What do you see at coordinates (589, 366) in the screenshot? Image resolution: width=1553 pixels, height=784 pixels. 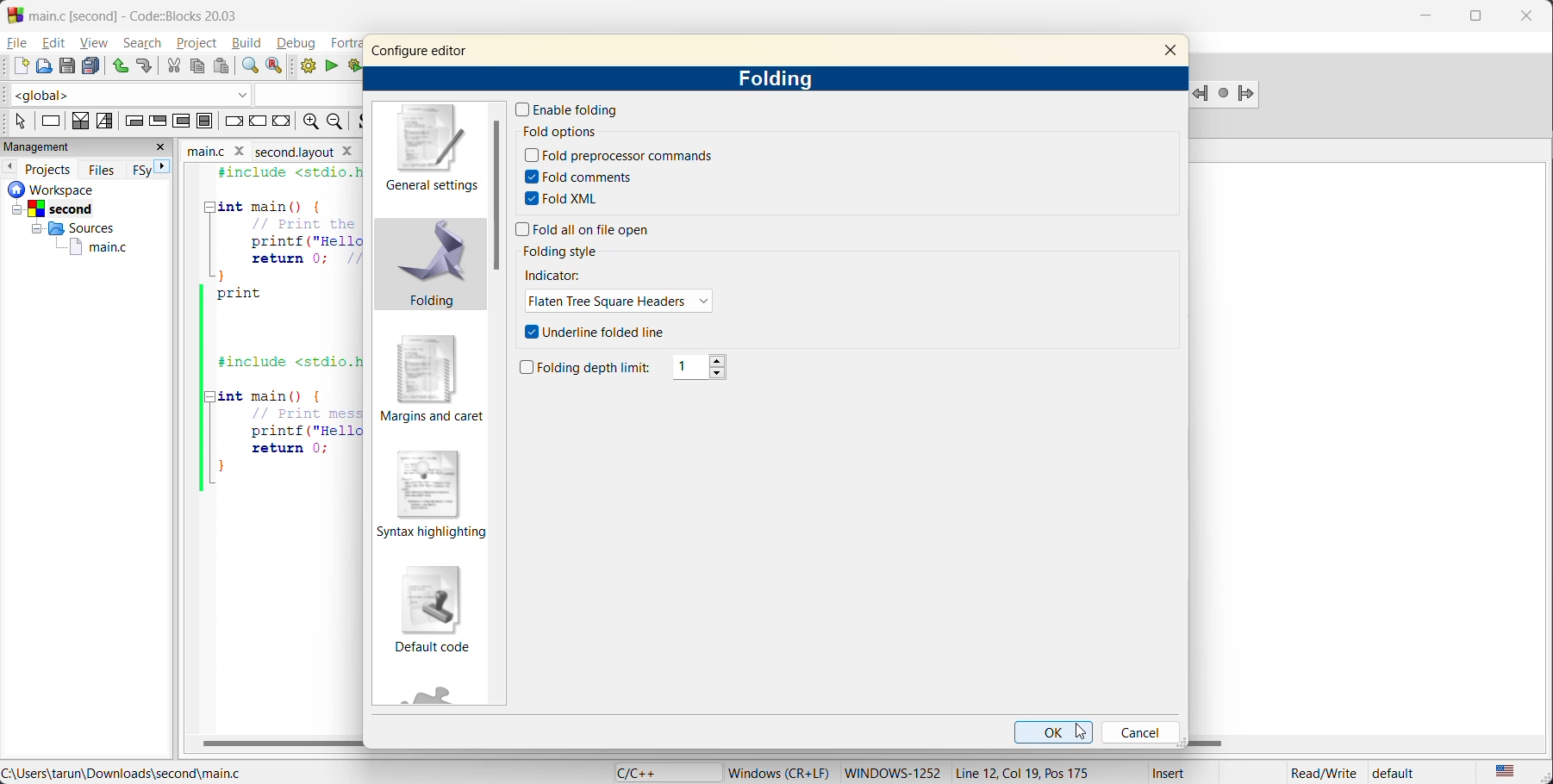 I see `folding depth limit` at bounding box center [589, 366].